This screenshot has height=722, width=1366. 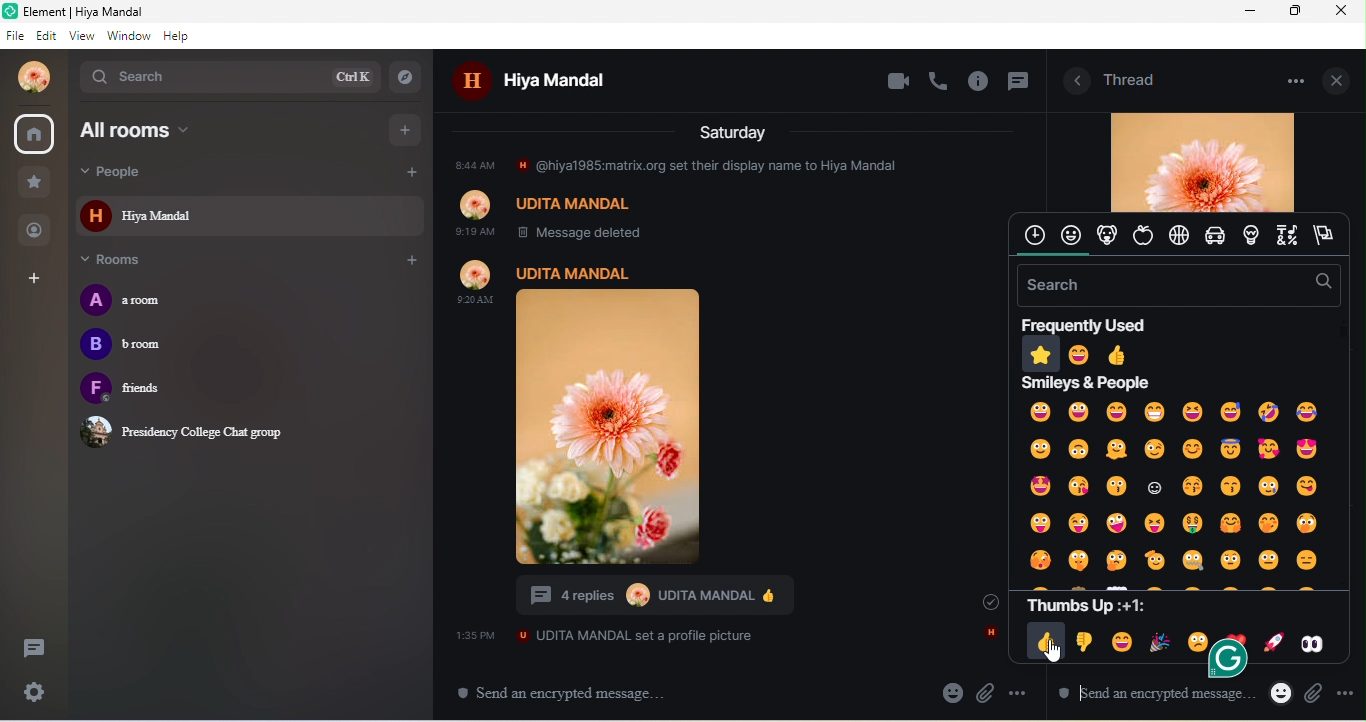 What do you see at coordinates (85, 36) in the screenshot?
I see `view` at bounding box center [85, 36].